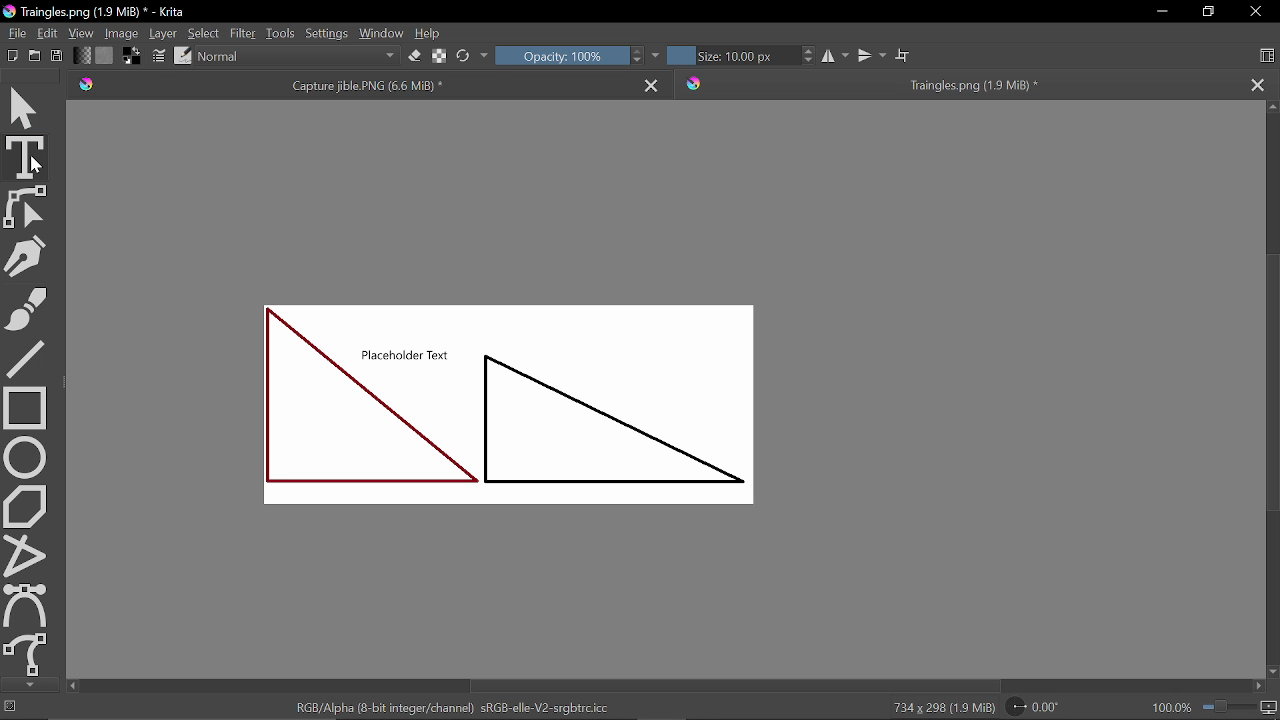 The height and width of the screenshot is (720, 1280). What do you see at coordinates (27, 157) in the screenshot?
I see `Text tool` at bounding box center [27, 157].